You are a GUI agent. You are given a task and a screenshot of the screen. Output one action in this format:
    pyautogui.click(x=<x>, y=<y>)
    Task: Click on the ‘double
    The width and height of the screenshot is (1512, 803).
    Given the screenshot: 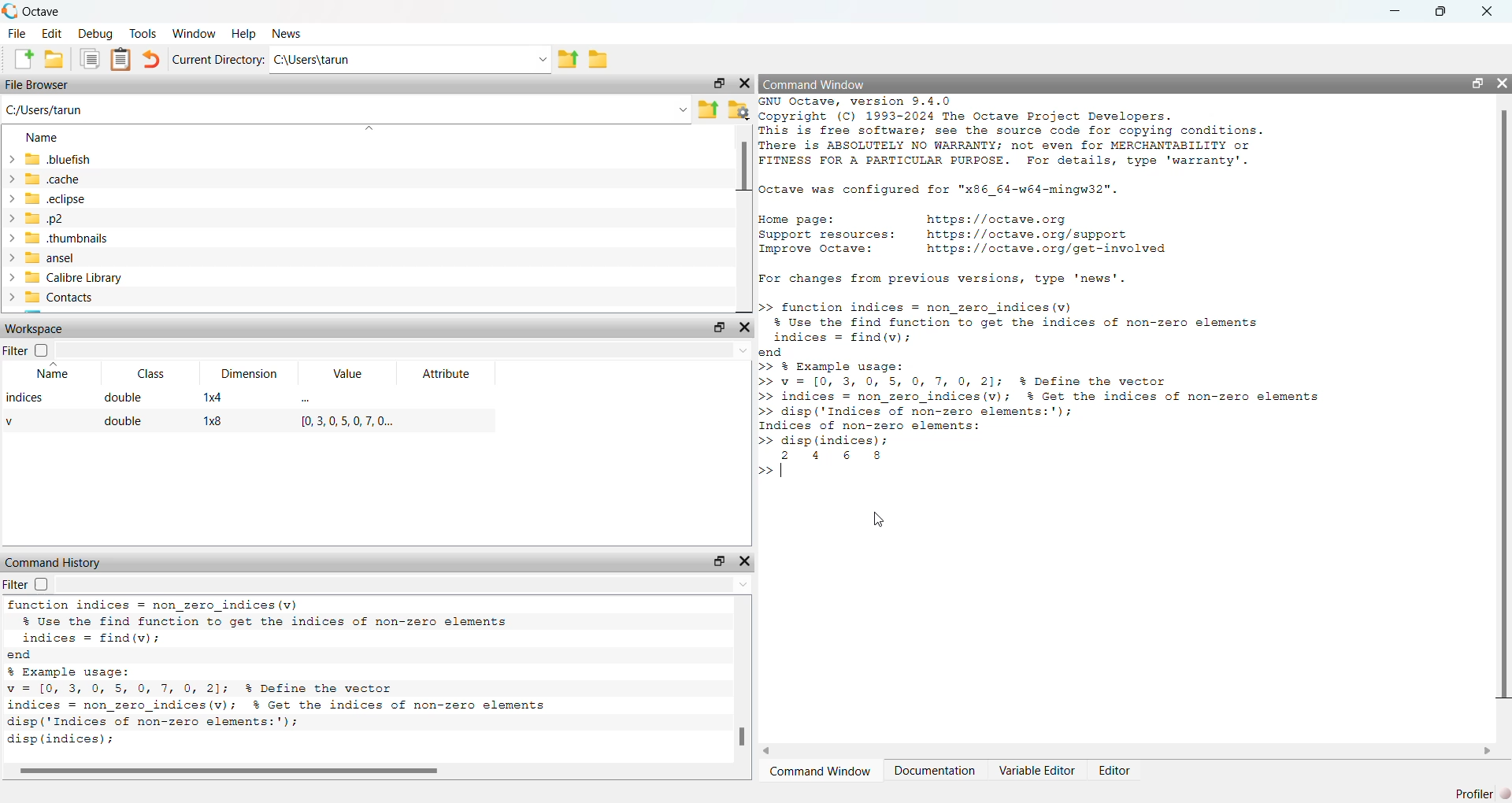 What is the action you would take?
    pyautogui.click(x=125, y=401)
    